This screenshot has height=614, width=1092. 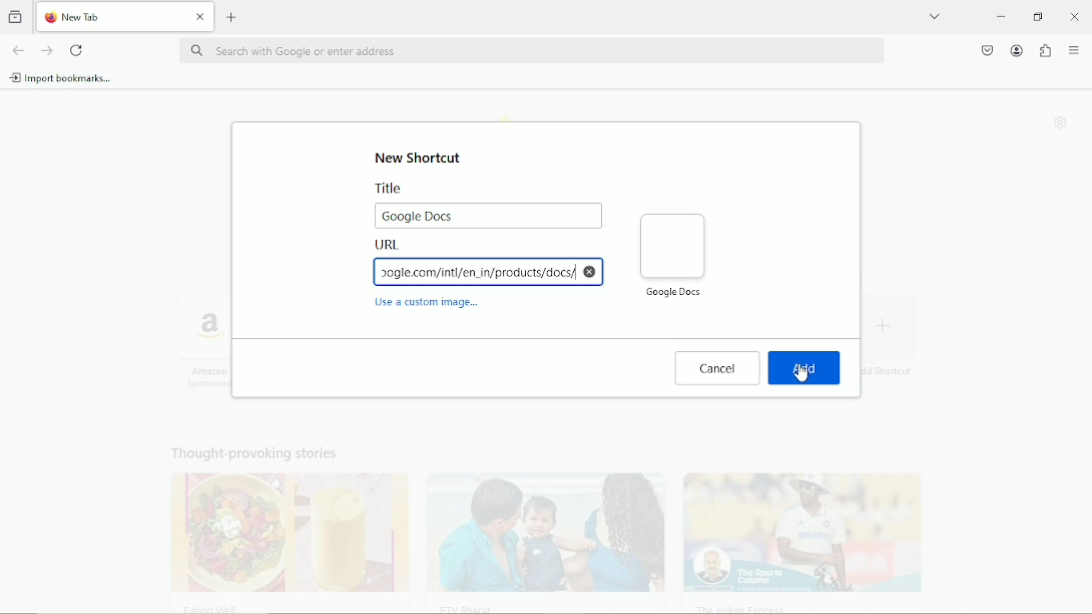 What do you see at coordinates (672, 254) in the screenshot?
I see `Shortcut Preview: Google Docs` at bounding box center [672, 254].